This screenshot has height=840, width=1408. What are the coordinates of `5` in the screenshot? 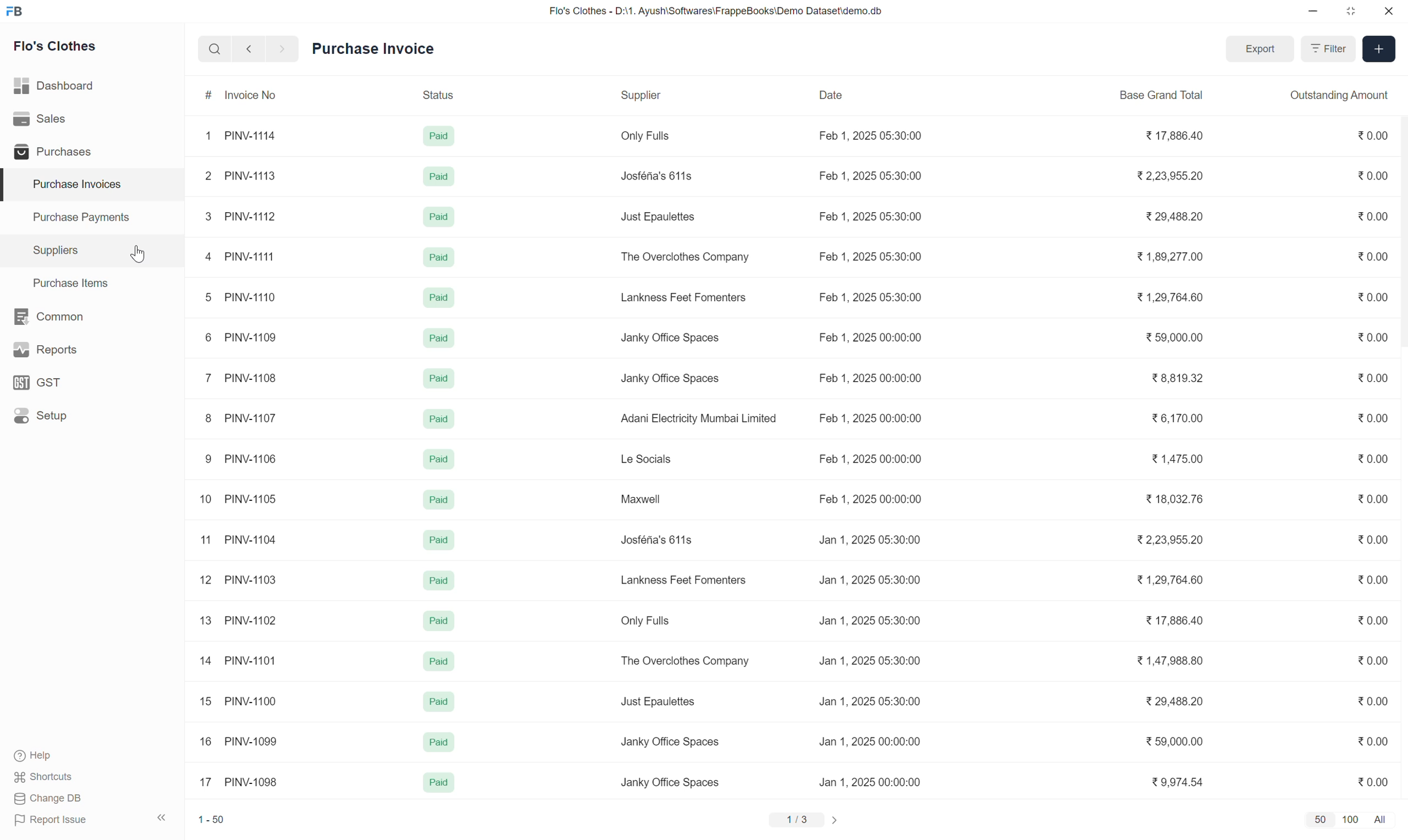 It's located at (206, 299).